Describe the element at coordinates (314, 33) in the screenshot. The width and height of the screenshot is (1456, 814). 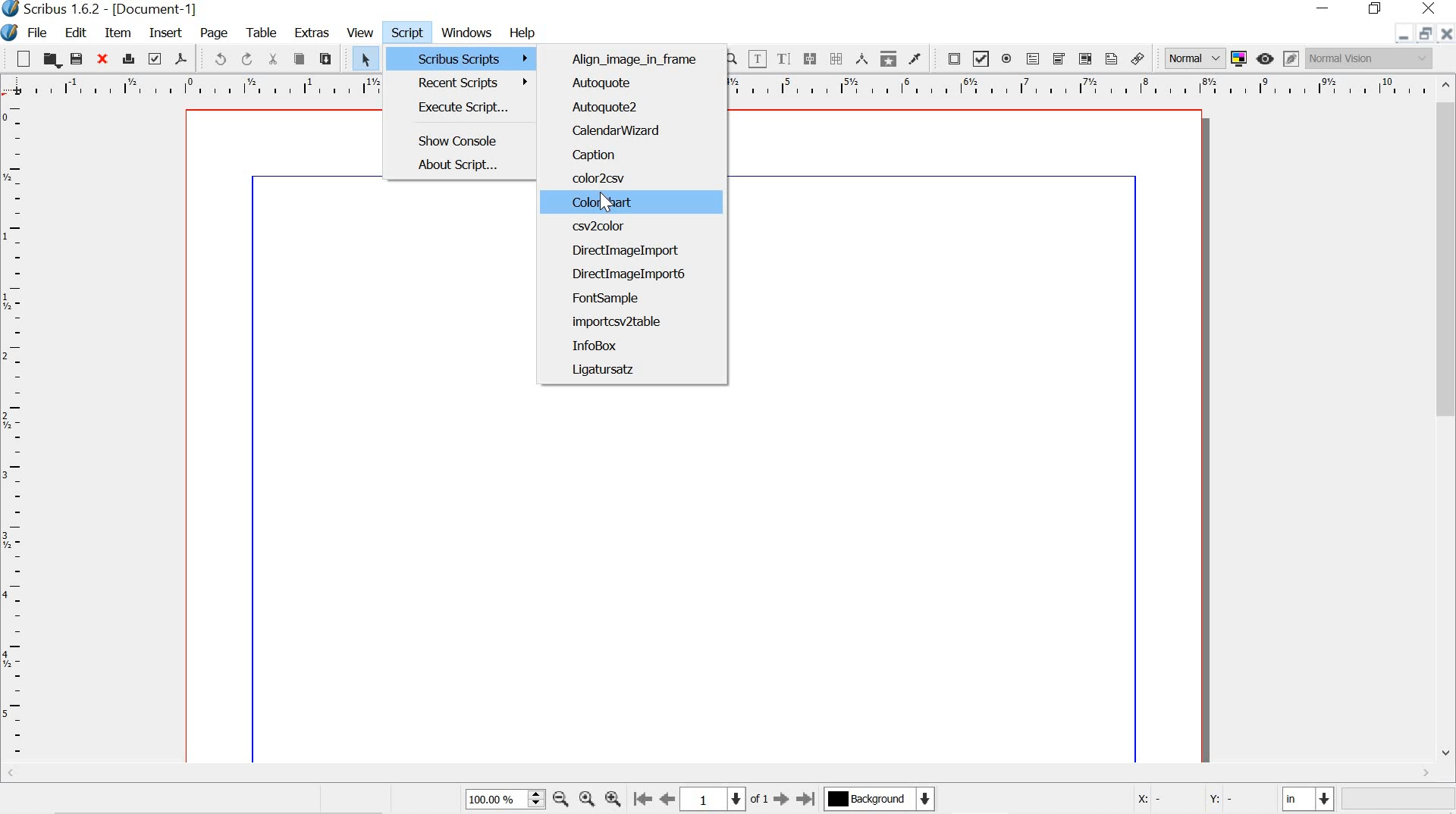
I see `extras` at that location.